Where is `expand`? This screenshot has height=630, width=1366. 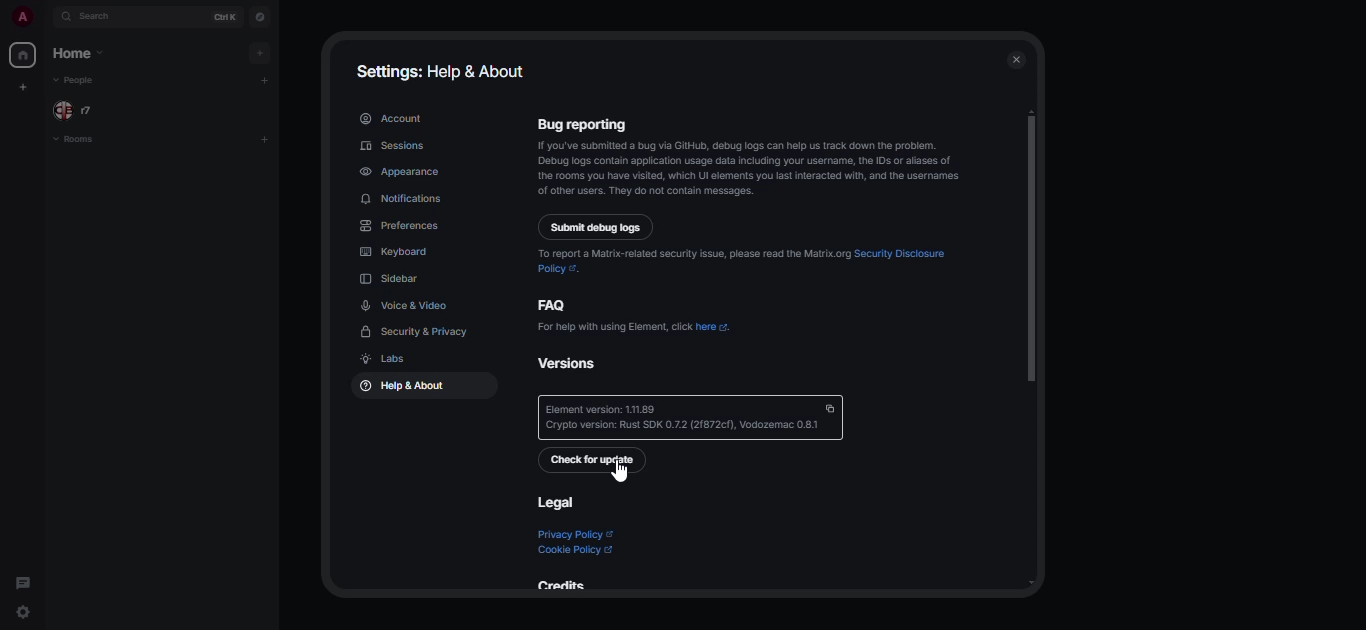 expand is located at coordinates (48, 16).